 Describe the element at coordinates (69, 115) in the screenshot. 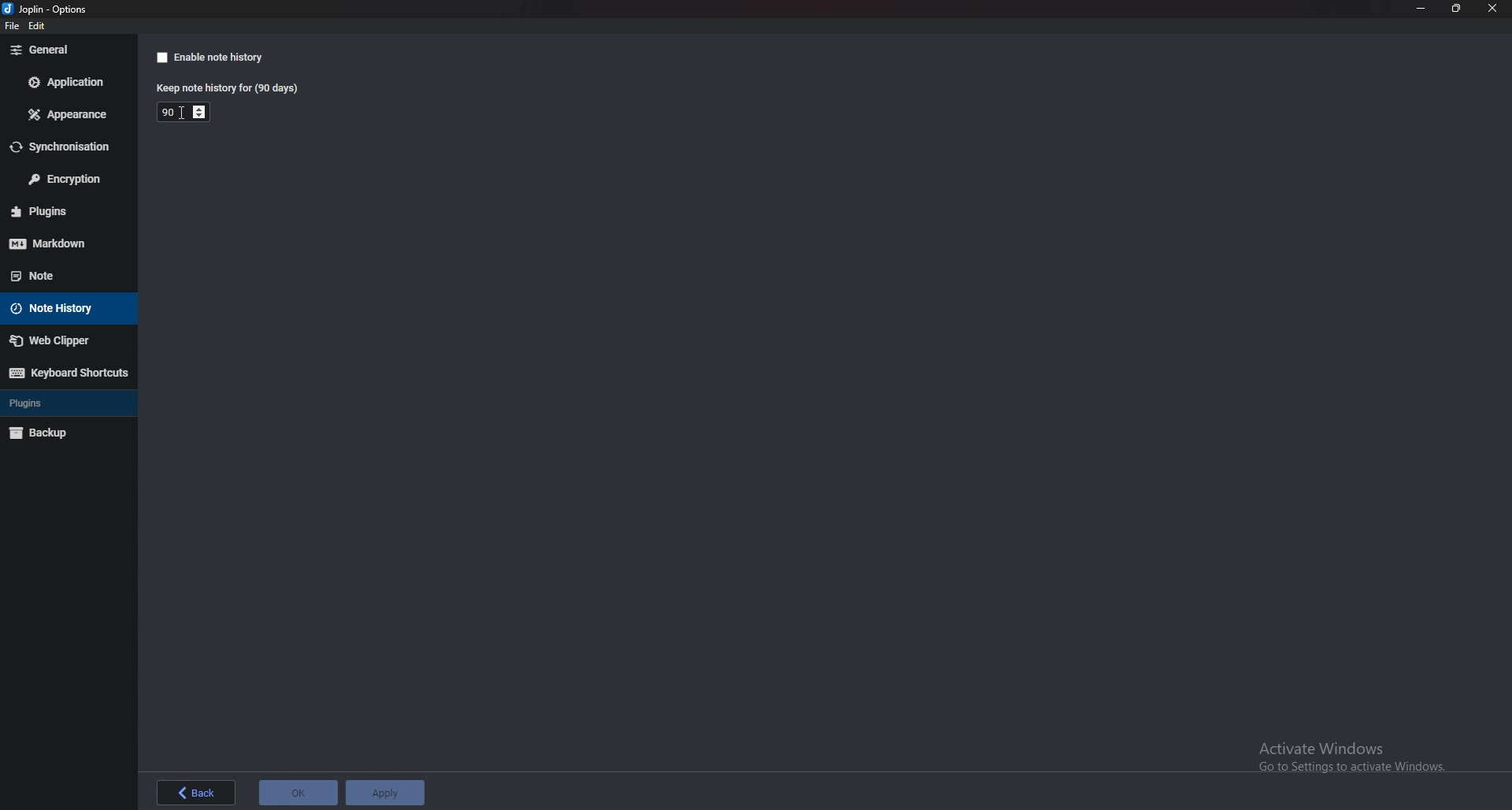

I see `Appearance` at that location.